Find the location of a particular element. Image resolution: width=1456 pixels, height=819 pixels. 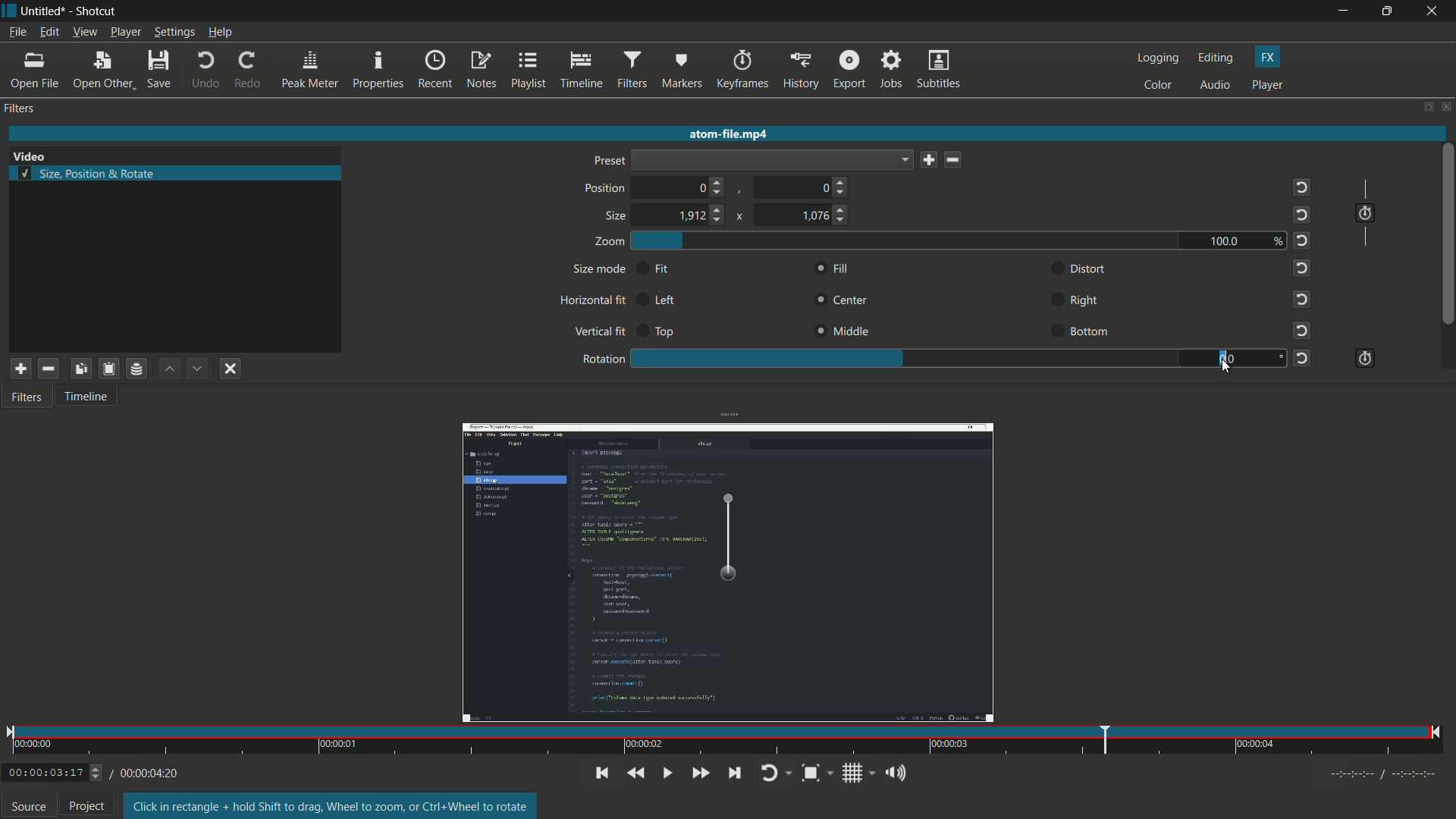

0|0 is located at coordinates (1233, 359).